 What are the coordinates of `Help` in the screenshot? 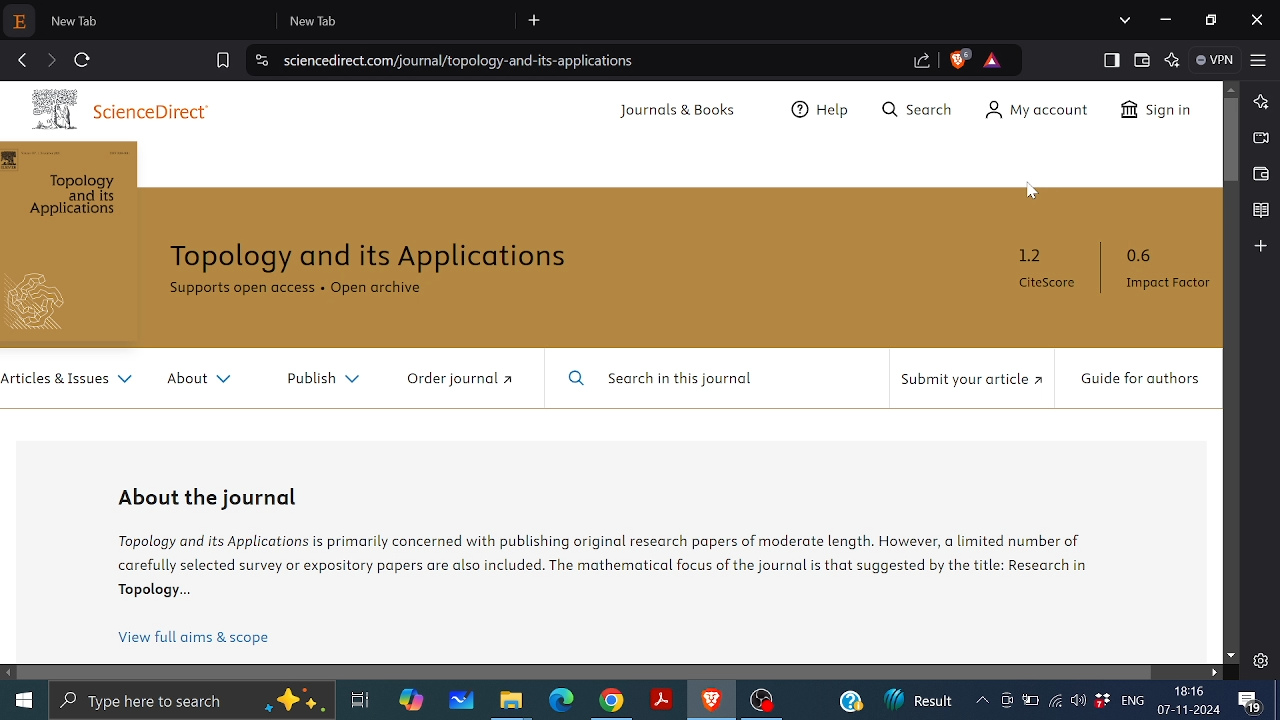 It's located at (823, 112).